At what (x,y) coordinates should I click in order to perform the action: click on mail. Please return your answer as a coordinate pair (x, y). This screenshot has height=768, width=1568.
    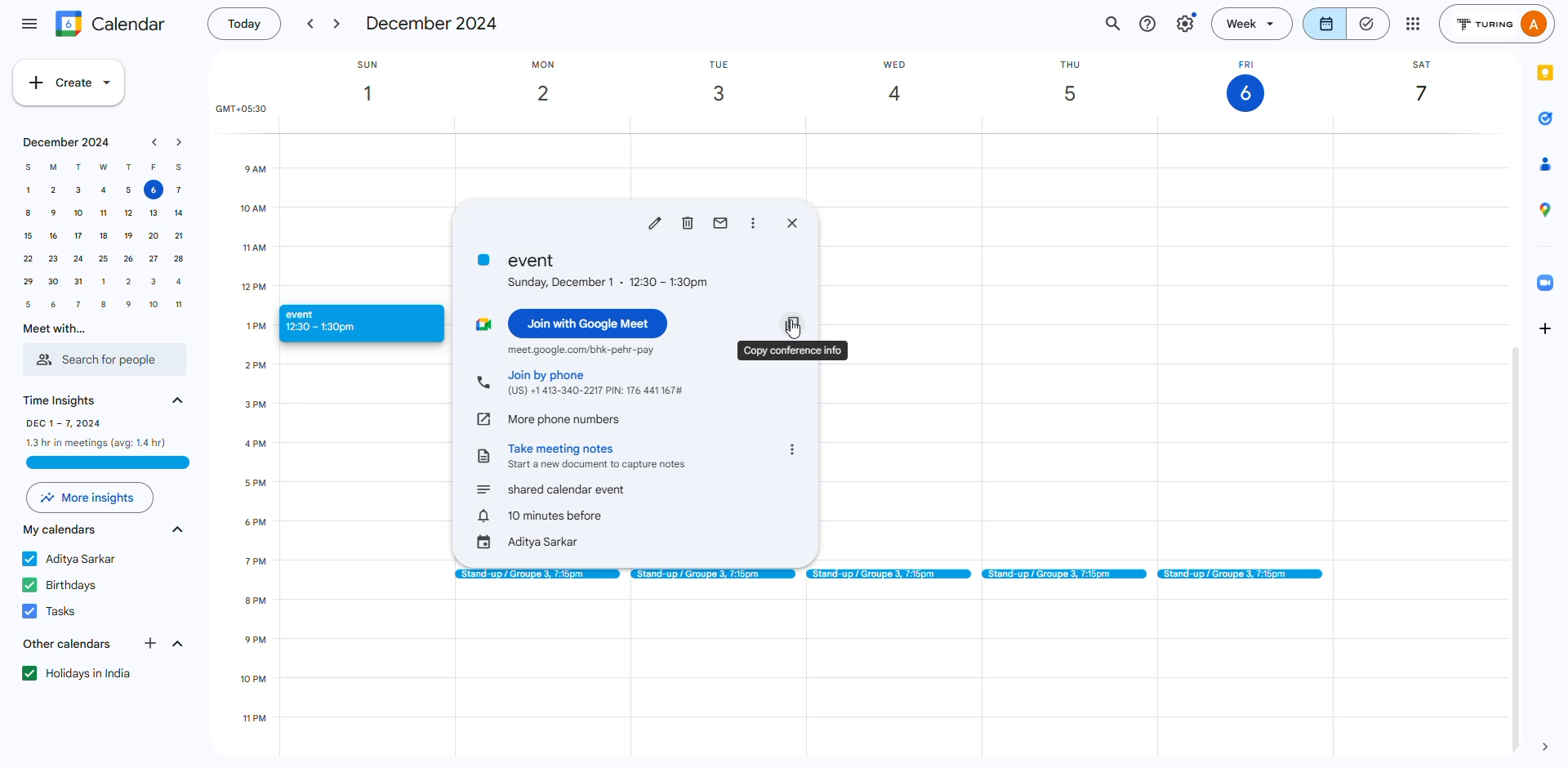
    Looking at the image, I should click on (721, 222).